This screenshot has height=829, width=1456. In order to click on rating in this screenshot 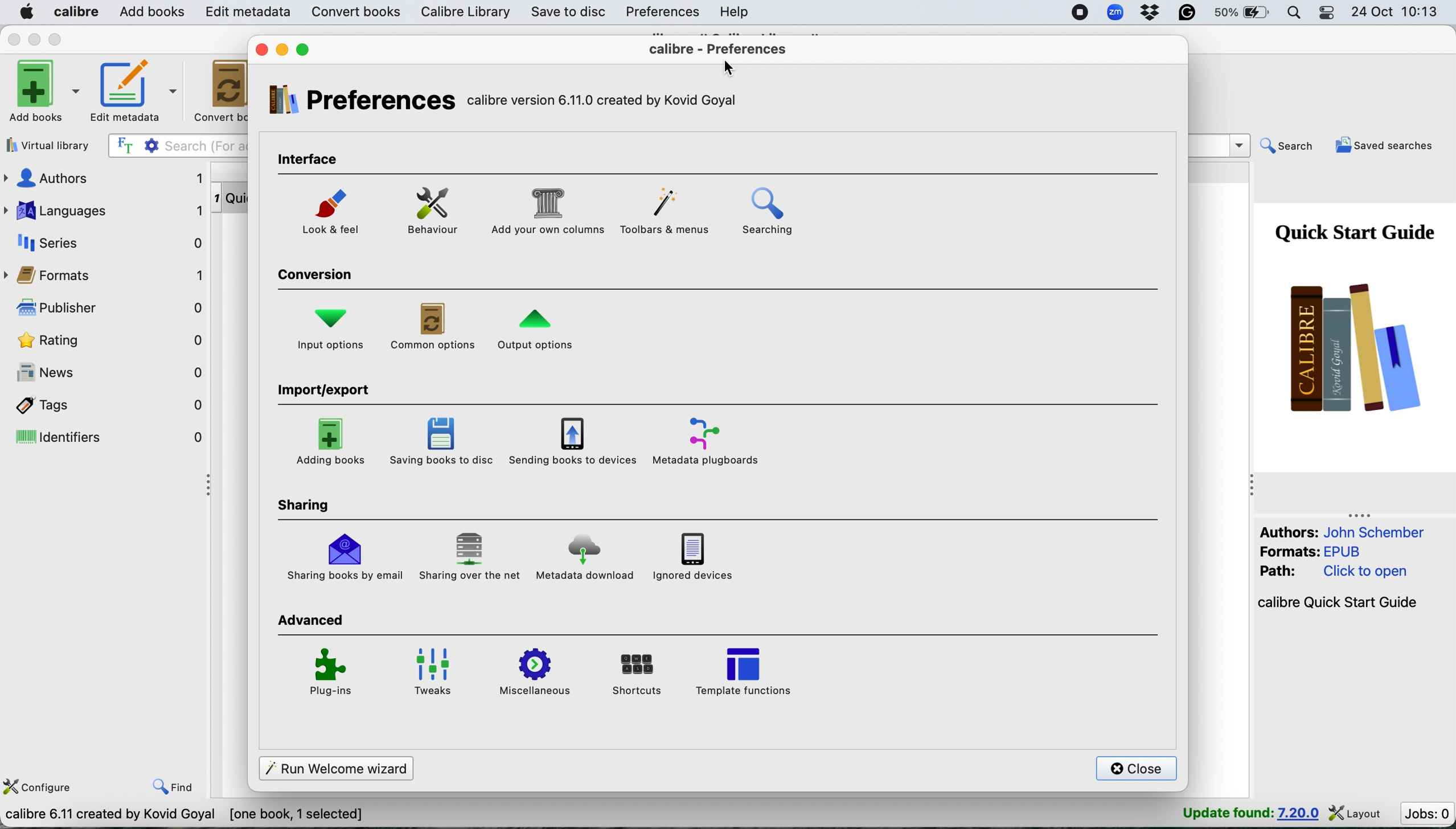, I will do `click(112, 342)`.